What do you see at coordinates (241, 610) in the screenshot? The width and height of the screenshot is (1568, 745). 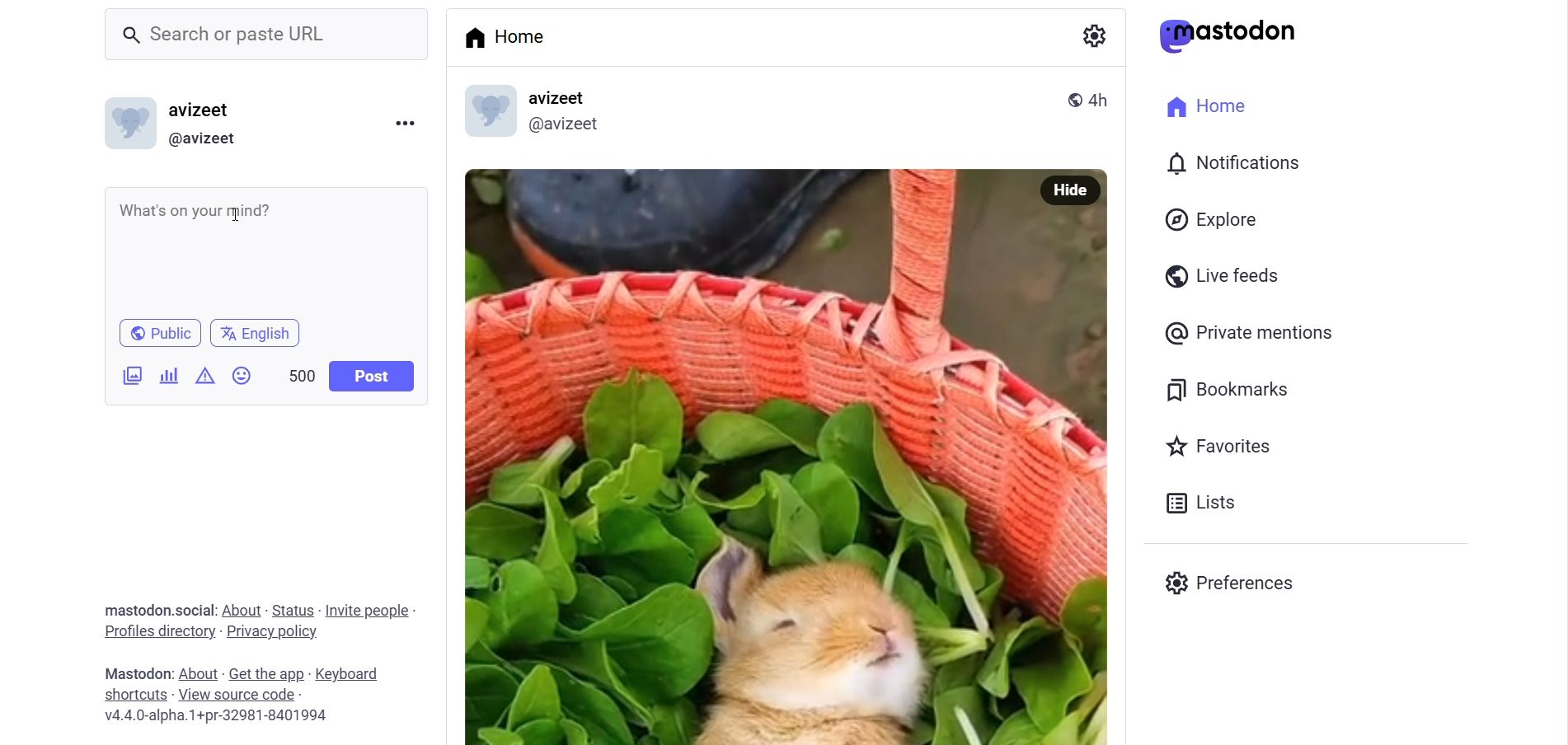 I see `about` at bounding box center [241, 610].